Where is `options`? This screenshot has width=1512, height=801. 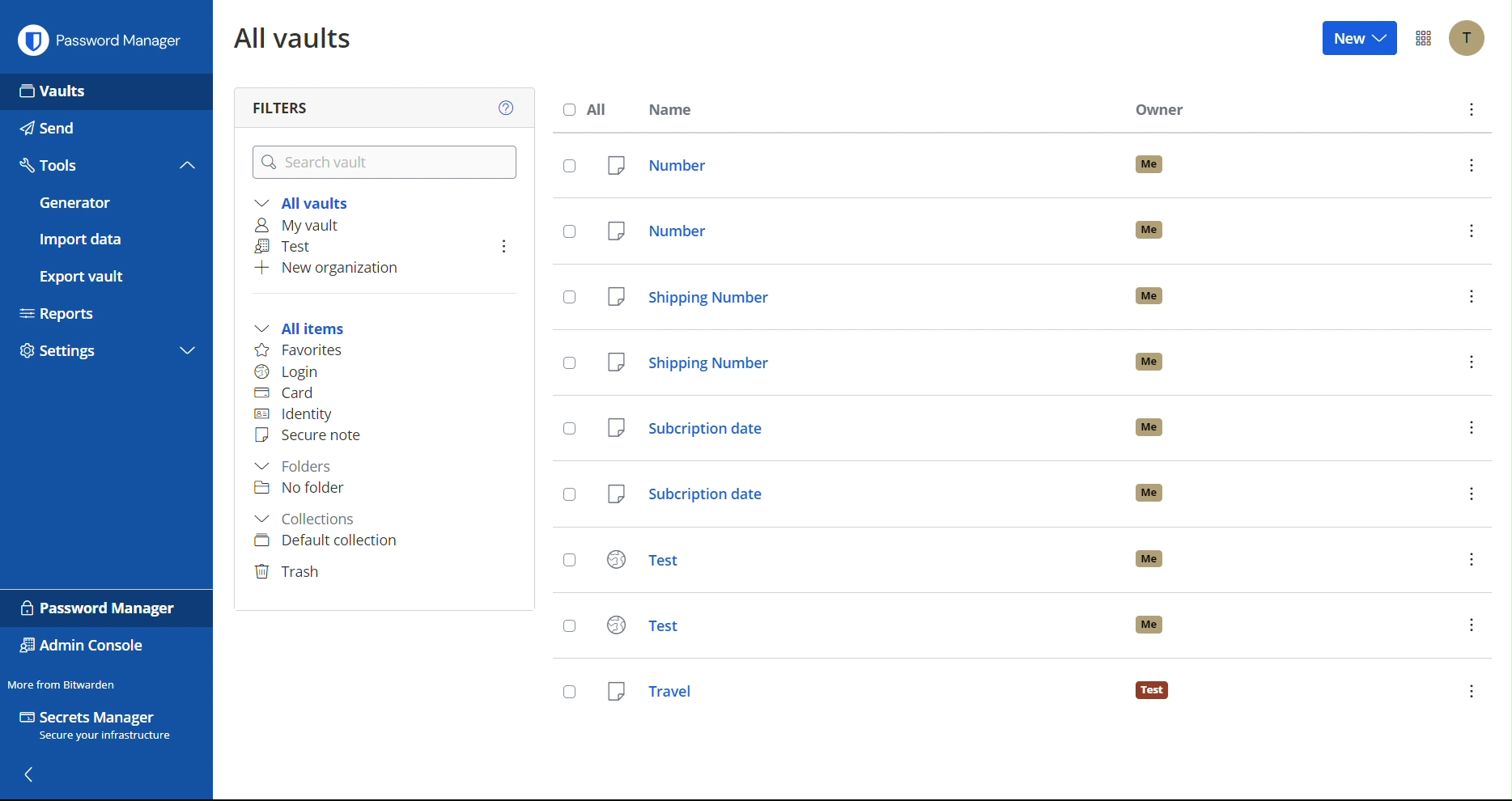
options is located at coordinates (1471, 164).